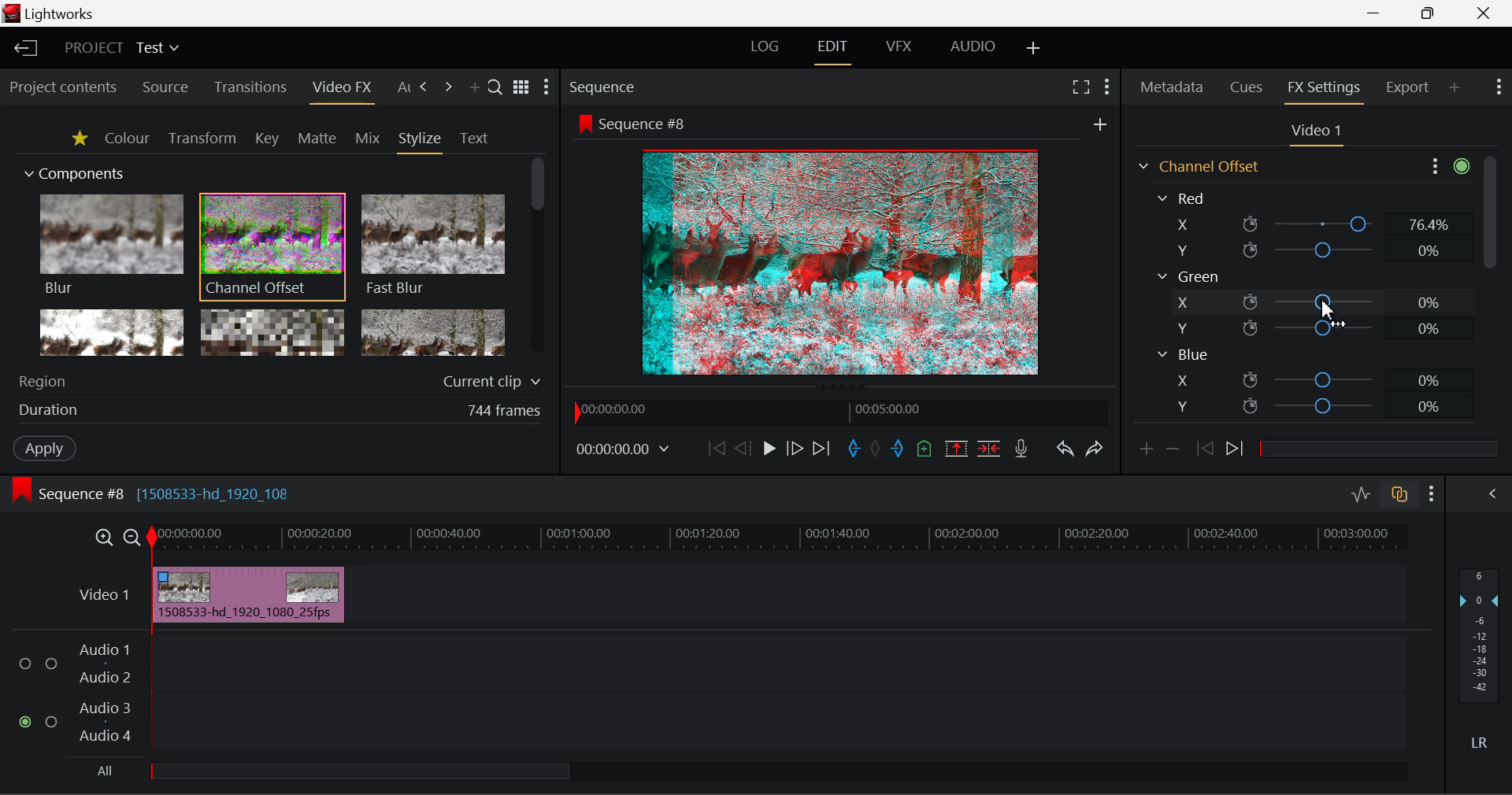 The height and width of the screenshot is (795, 1512). What do you see at coordinates (1362, 495) in the screenshot?
I see `Toggle Audio Levels Editing` at bounding box center [1362, 495].